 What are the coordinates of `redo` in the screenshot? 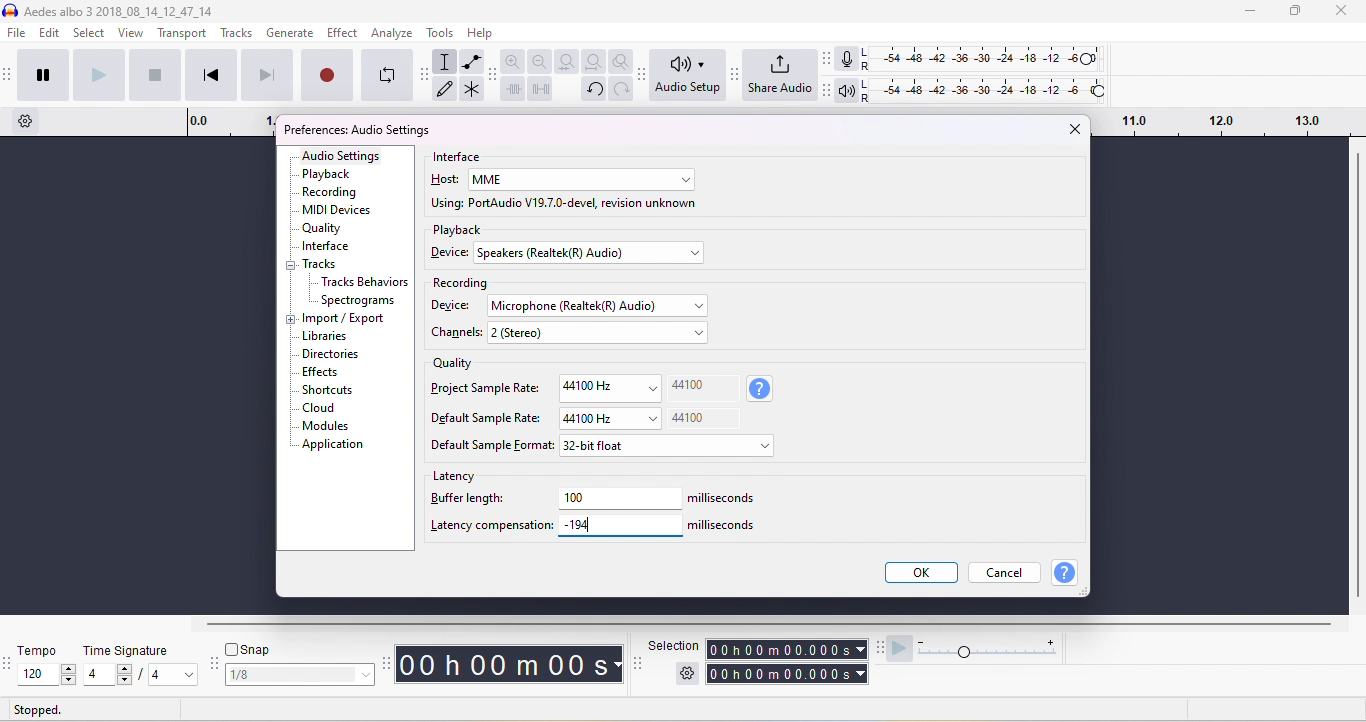 It's located at (622, 89).